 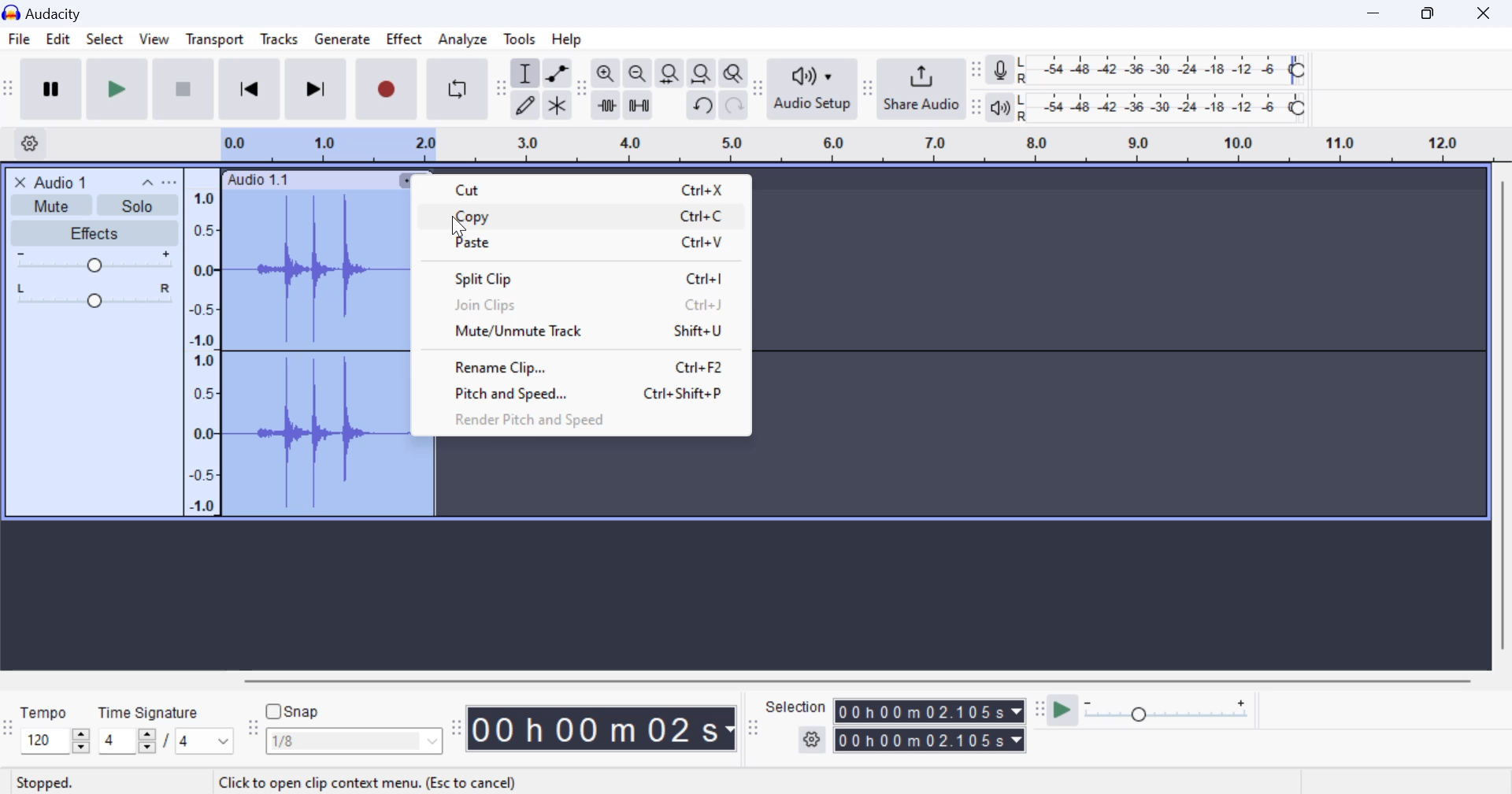 What do you see at coordinates (1062, 711) in the screenshot?
I see `play at speed` at bounding box center [1062, 711].